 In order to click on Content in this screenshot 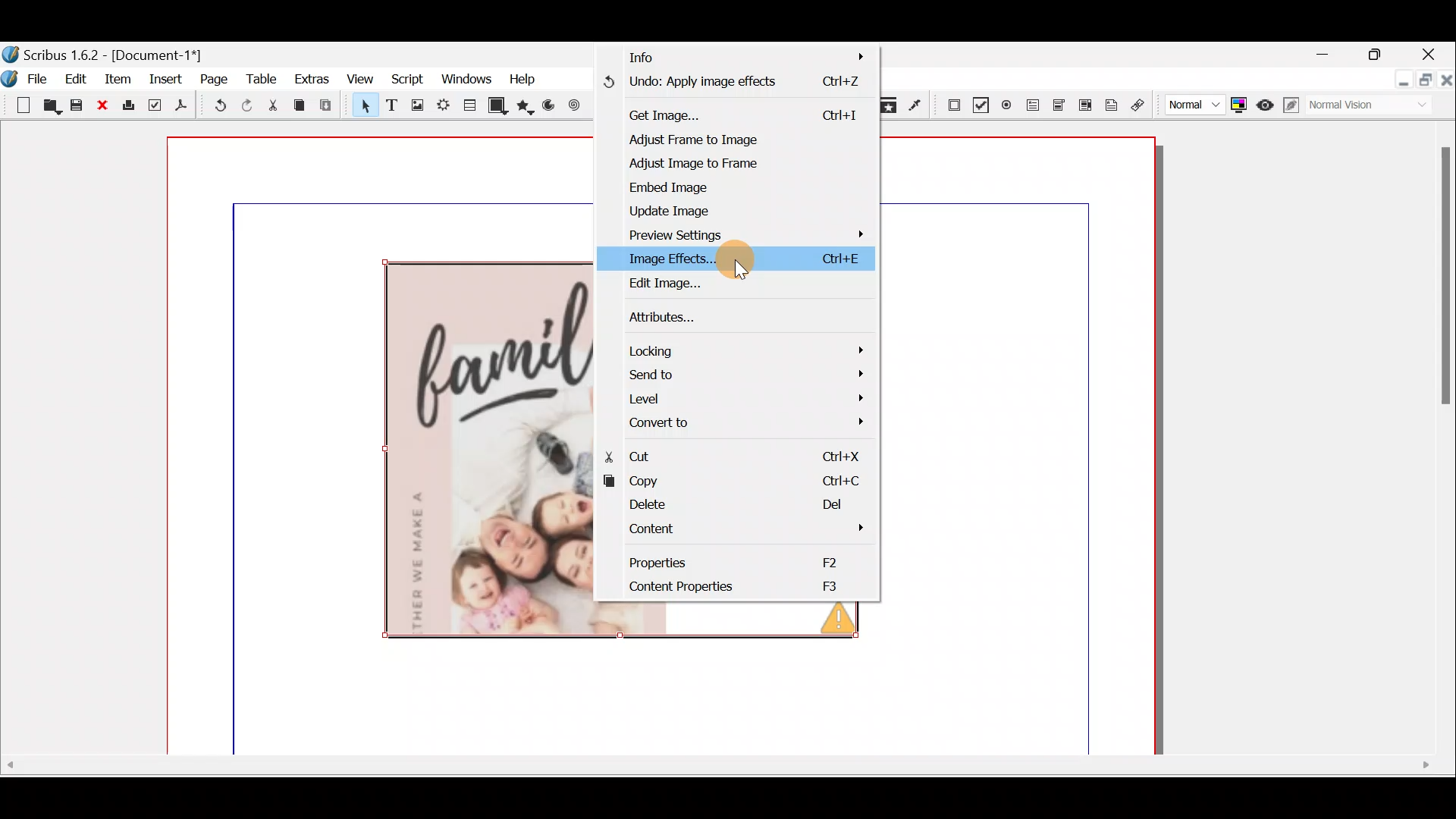, I will do `click(742, 531)`.